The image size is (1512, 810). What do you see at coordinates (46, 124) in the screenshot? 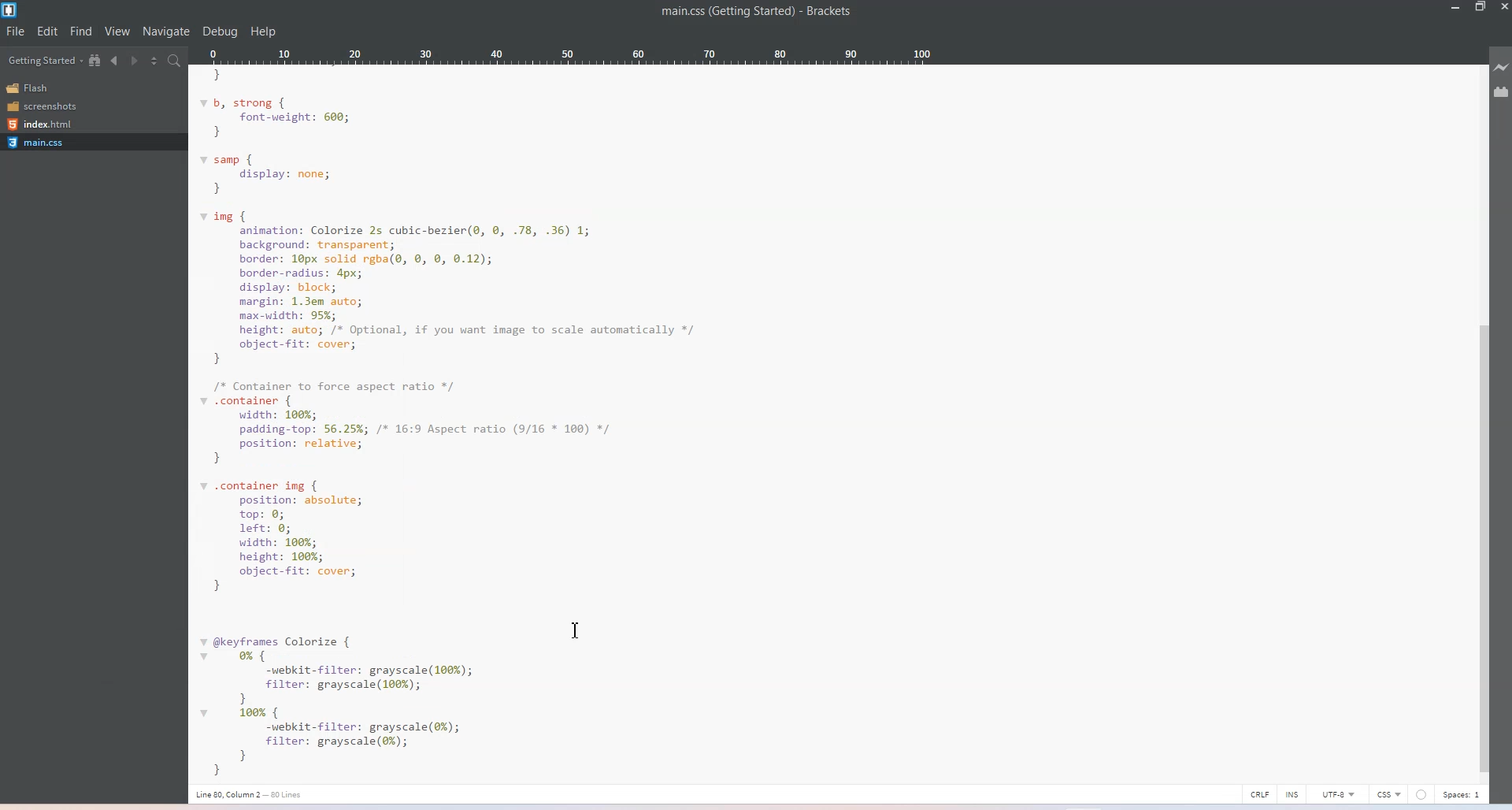
I see `Index.html` at bounding box center [46, 124].